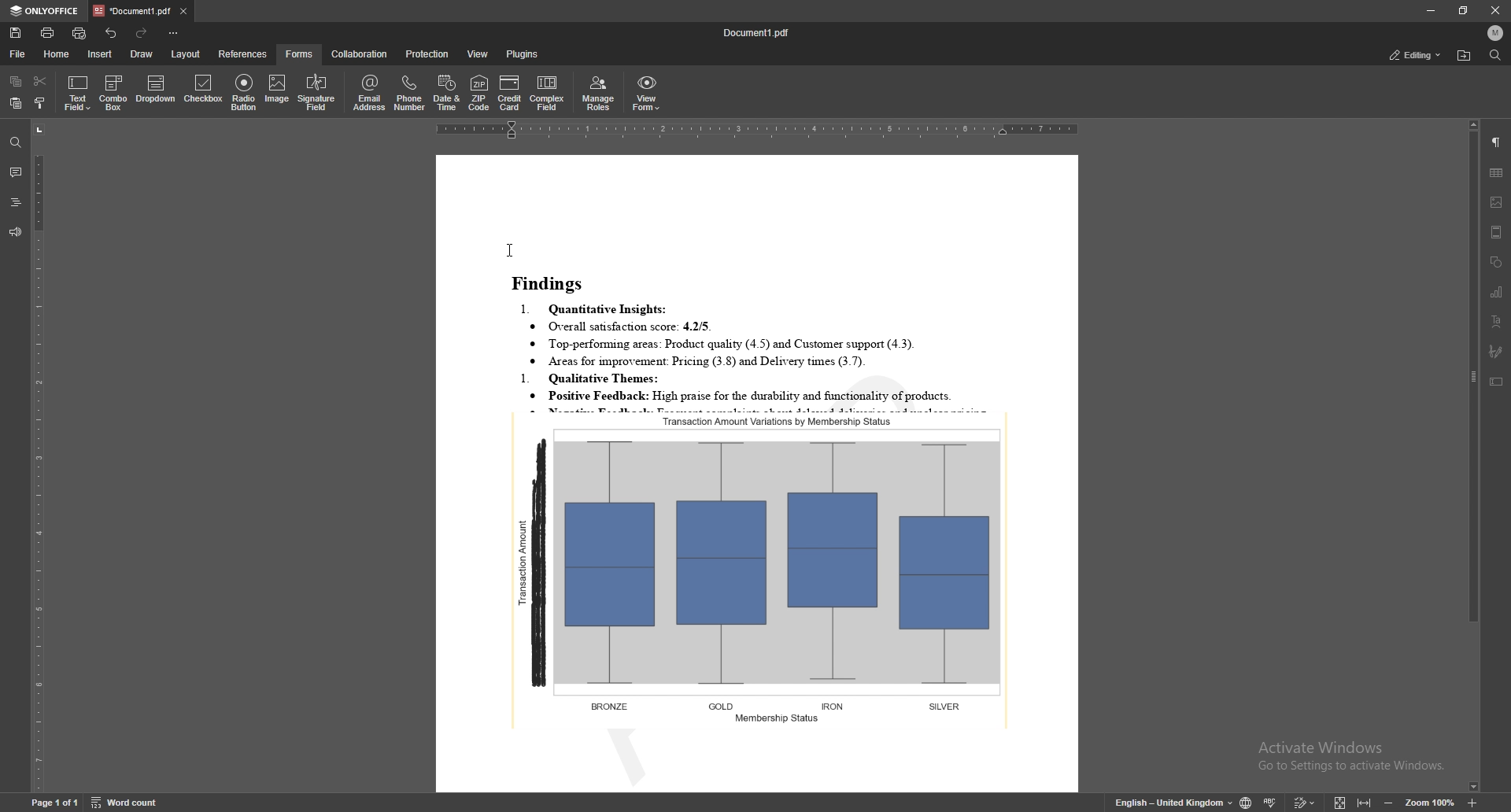 The height and width of the screenshot is (812, 1511). Describe the element at coordinates (597, 308) in the screenshot. I see `1. Quantitative Insights:` at that location.